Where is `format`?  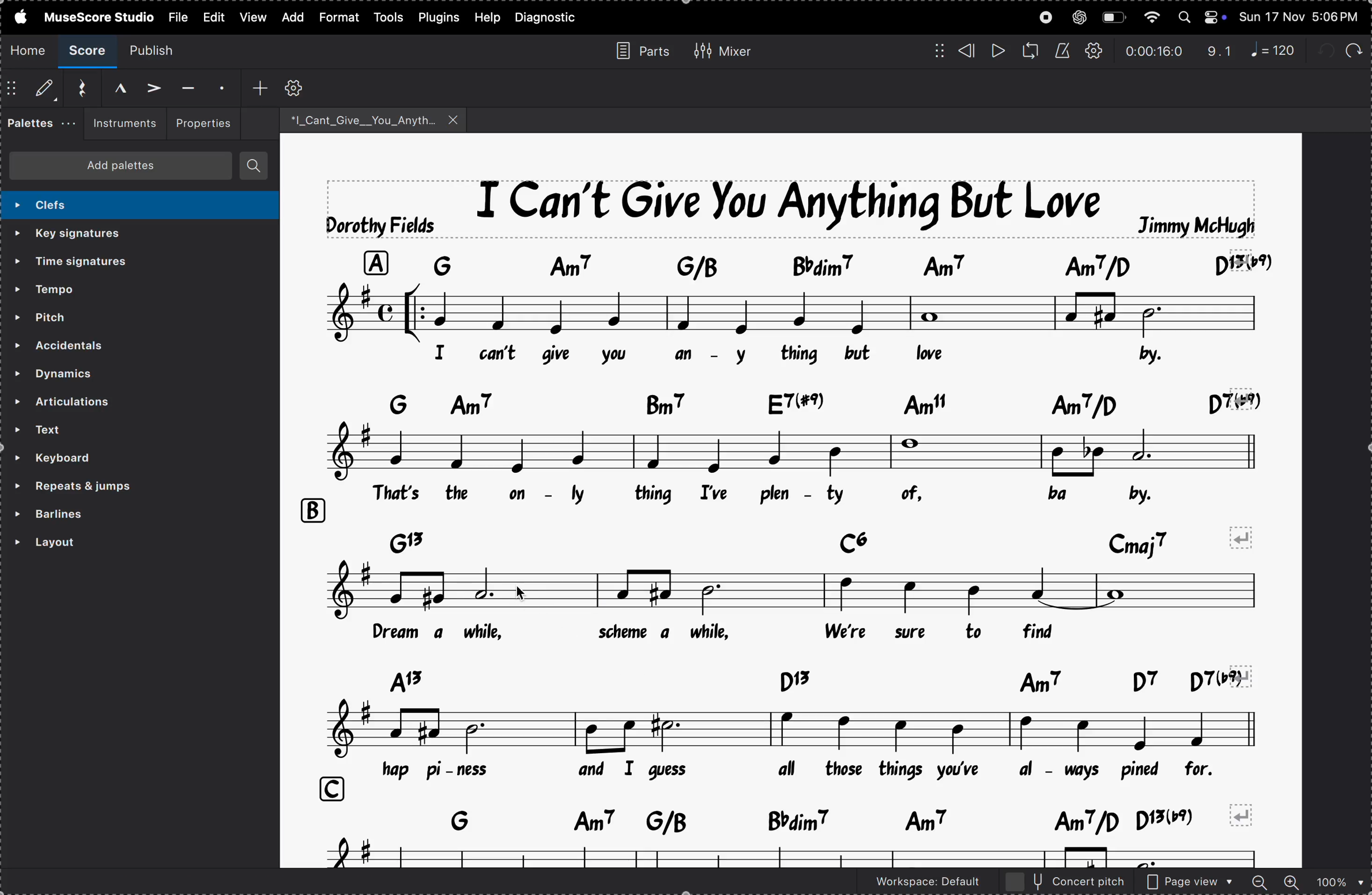 format is located at coordinates (337, 18).